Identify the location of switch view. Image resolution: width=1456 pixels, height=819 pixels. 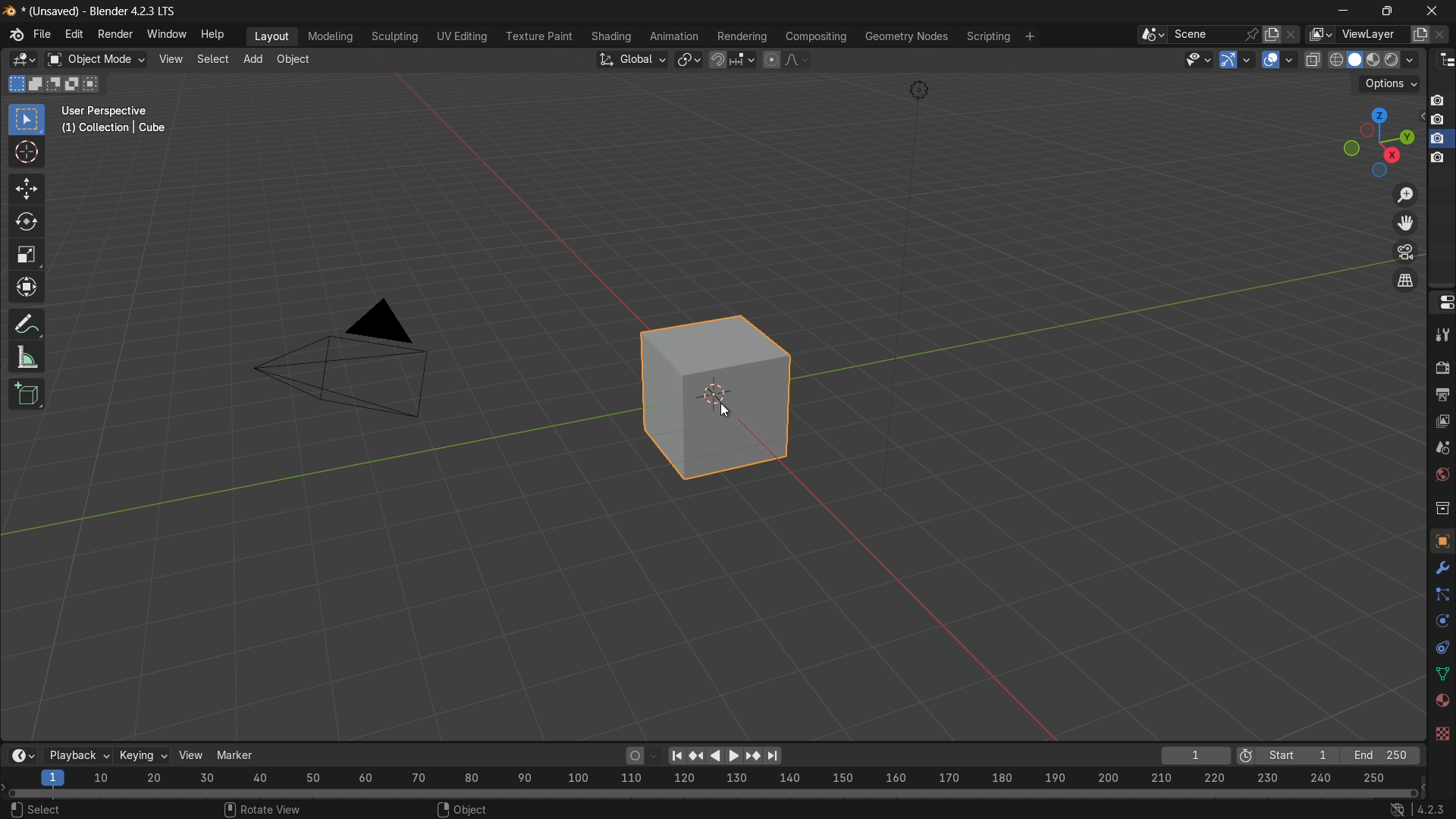
(1407, 280).